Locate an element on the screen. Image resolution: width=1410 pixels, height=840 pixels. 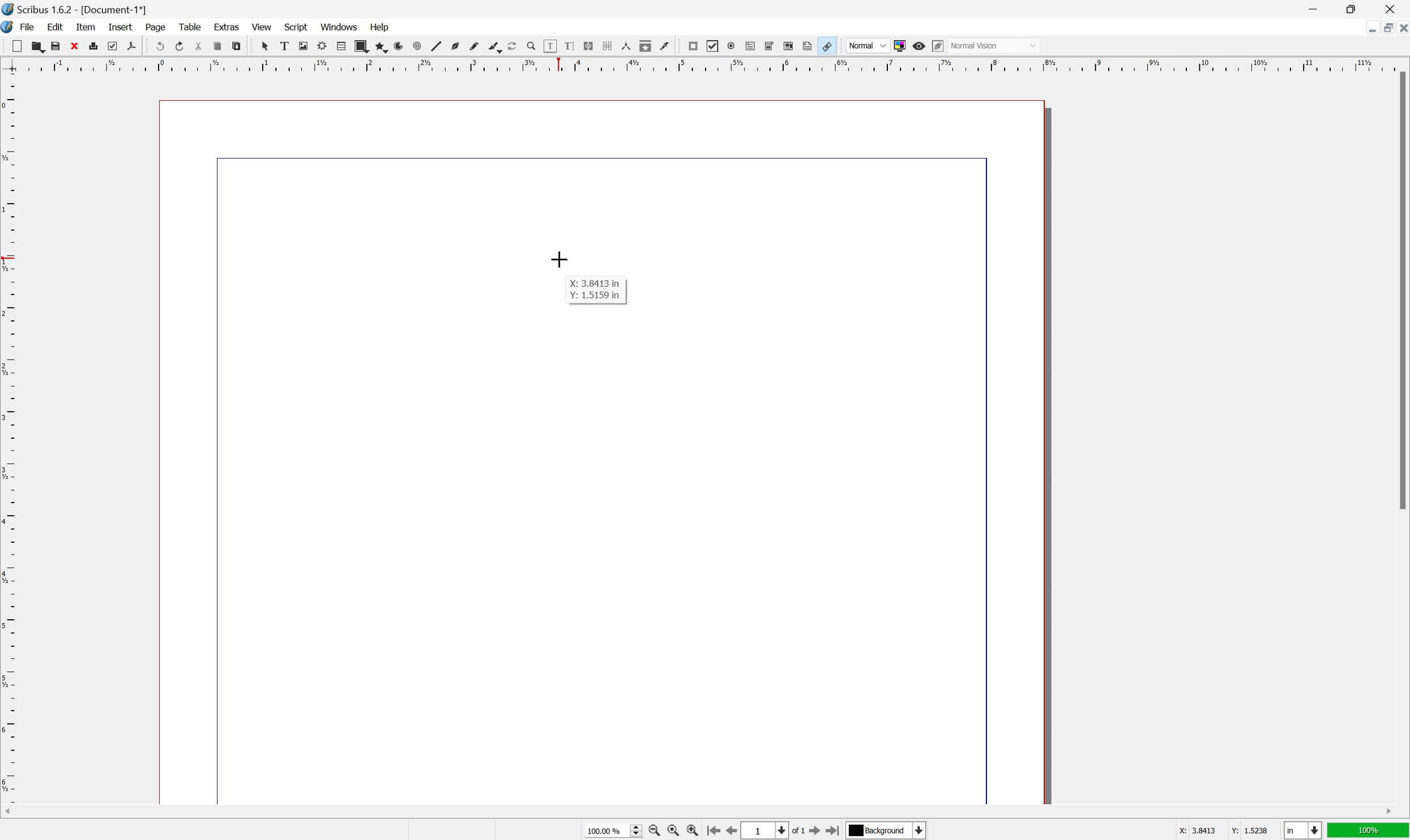
save as pdf is located at coordinates (132, 46).